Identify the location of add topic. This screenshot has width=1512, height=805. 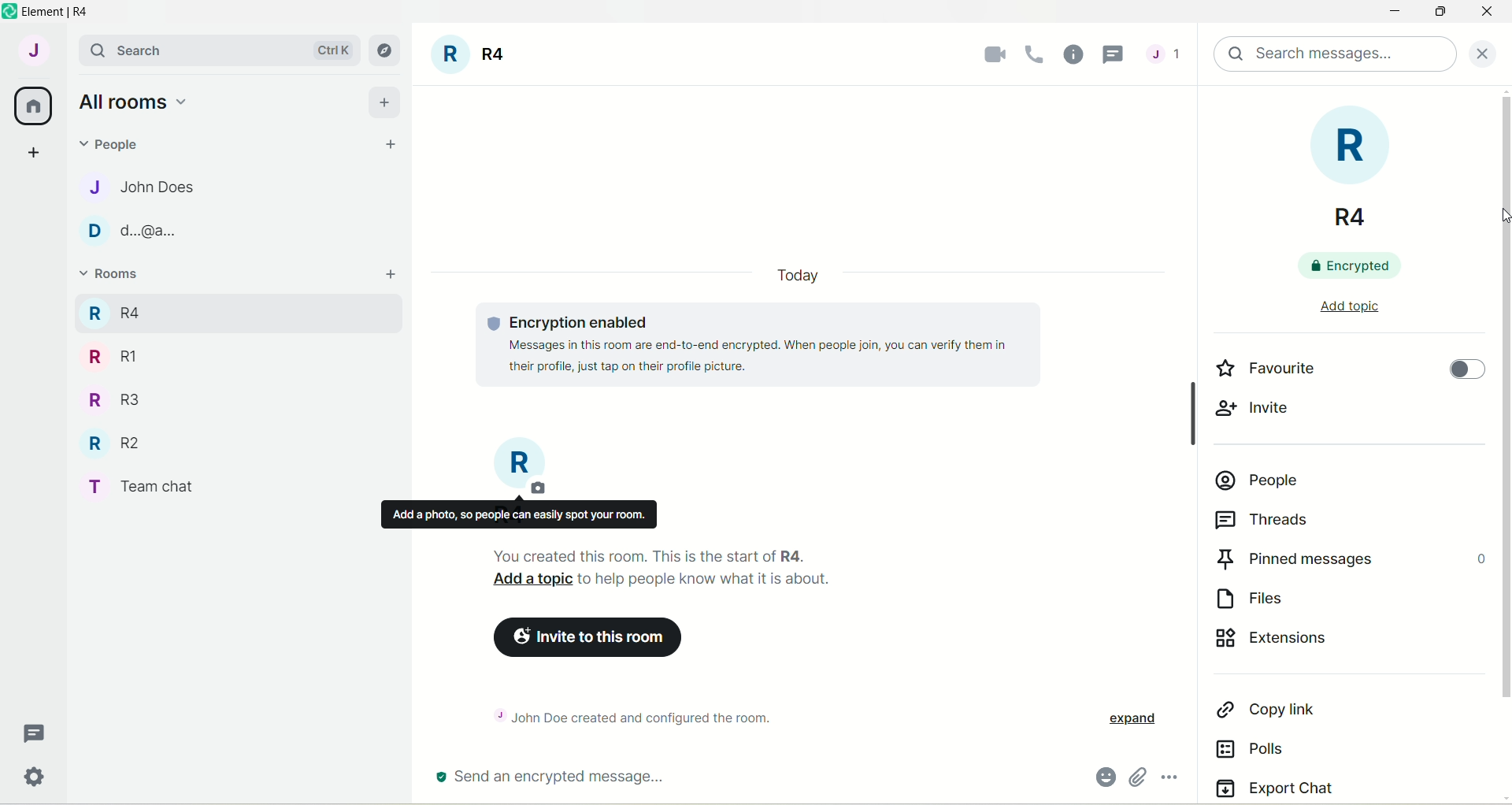
(1345, 311).